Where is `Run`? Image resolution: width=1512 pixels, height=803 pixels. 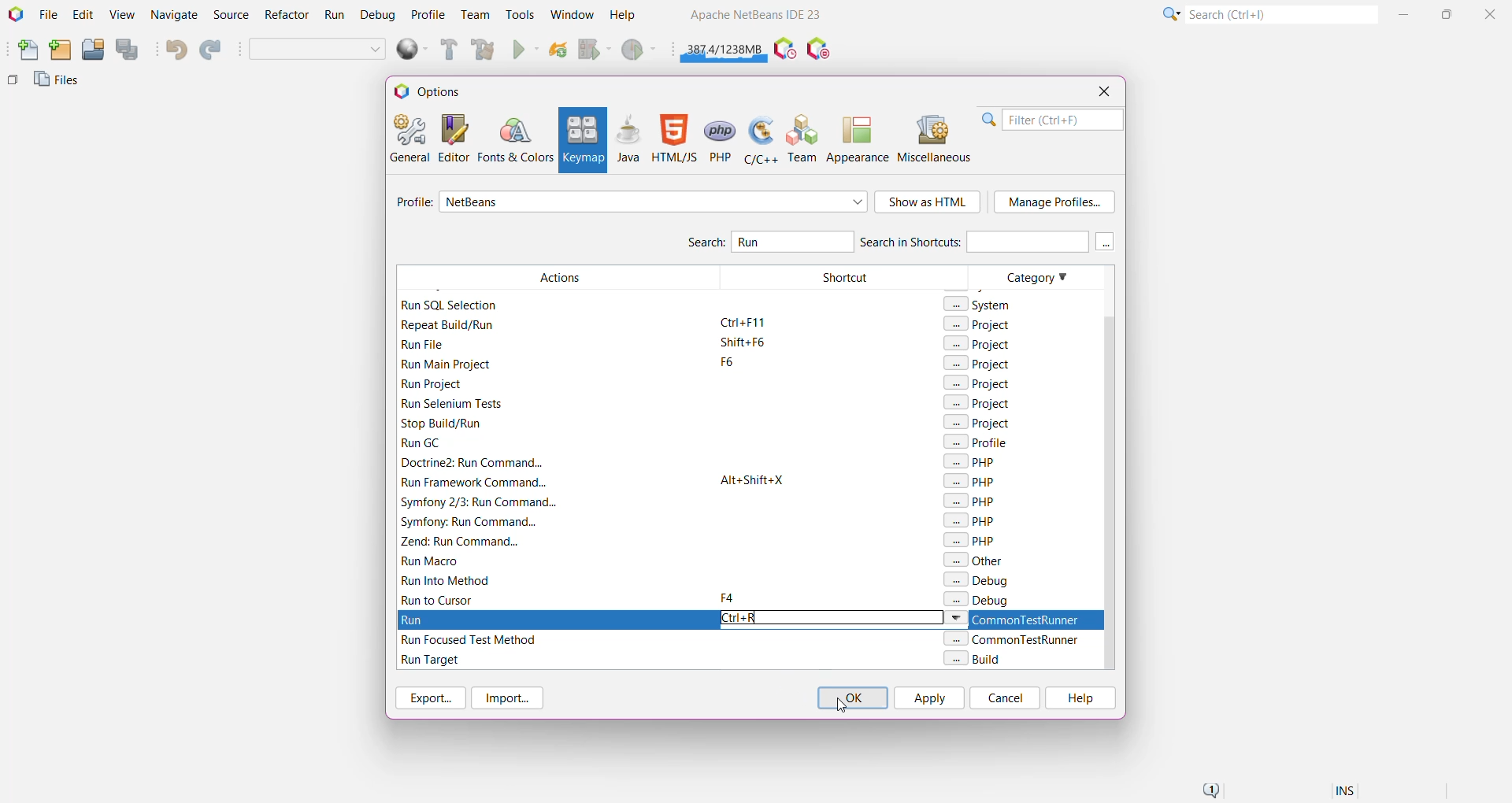
Run is located at coordinates (526, 51).